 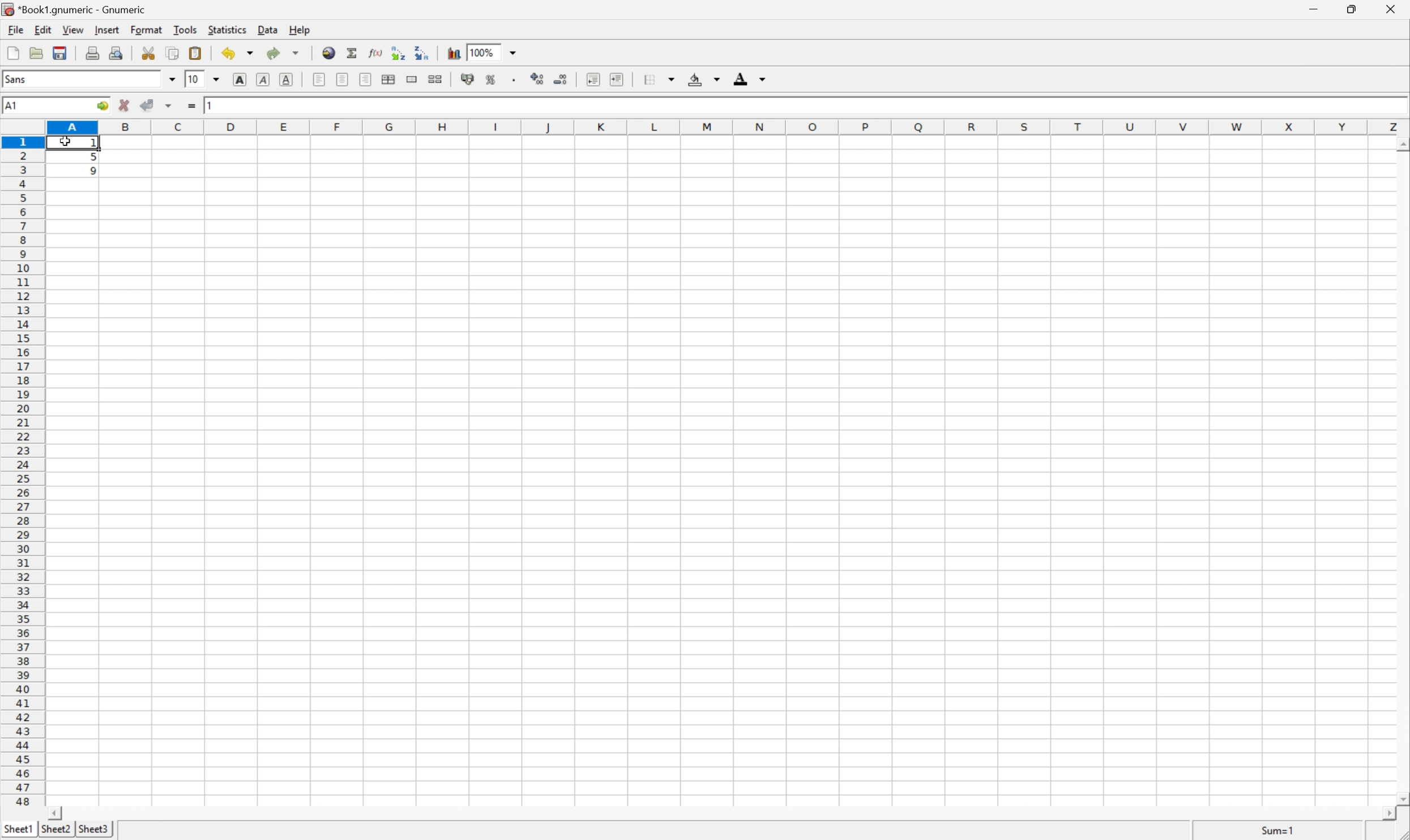 I want to click on Set the format of the selected cells to include a thousands separator, so click(x=516, y=80).